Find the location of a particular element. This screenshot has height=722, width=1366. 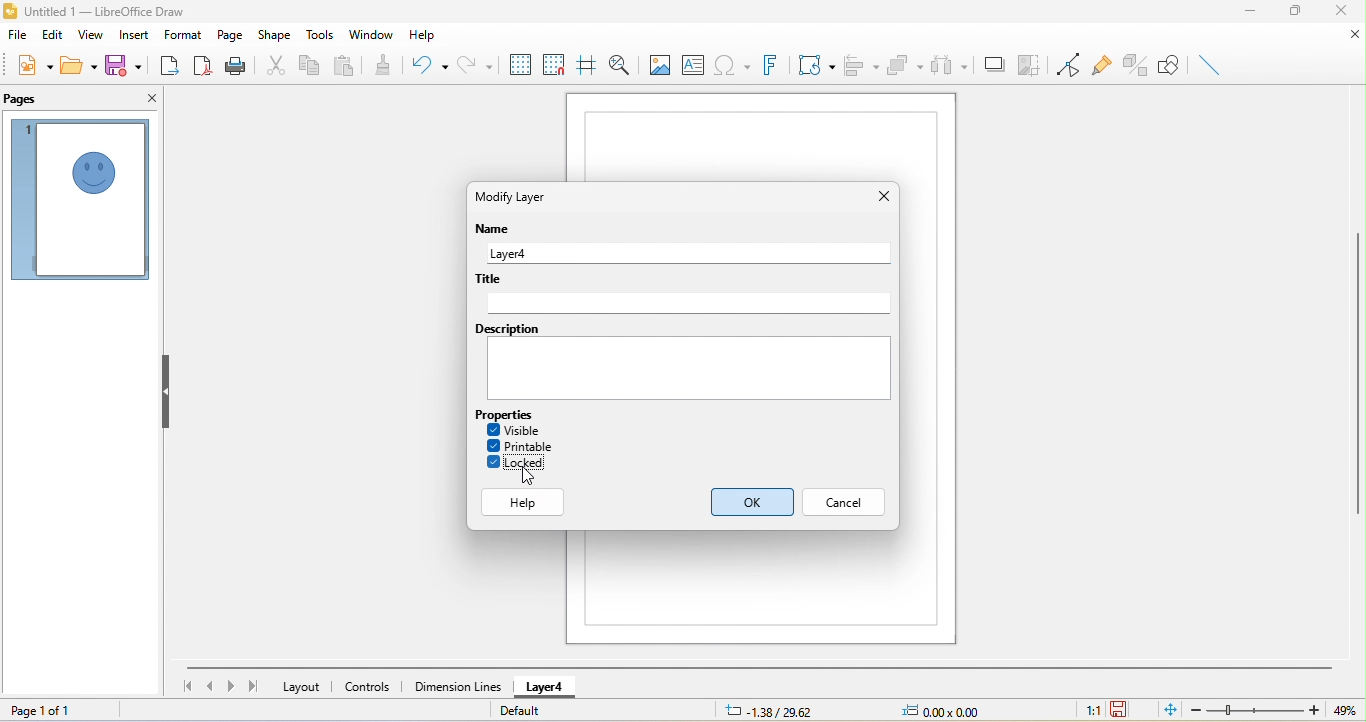

edit is located at coordinates (48, 38).